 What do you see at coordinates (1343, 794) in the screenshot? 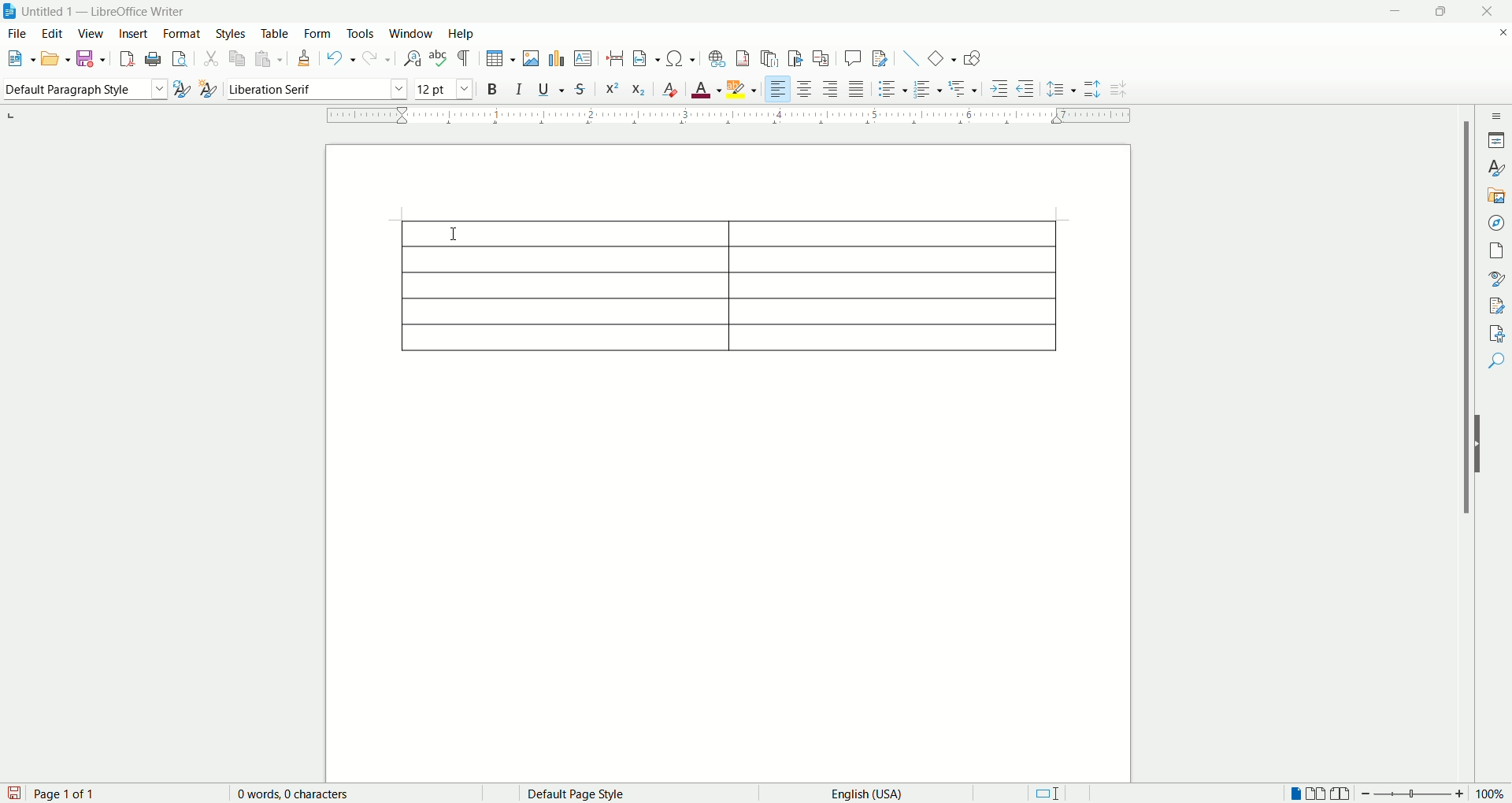
I see `book view` at bounding box center [1343, 794].